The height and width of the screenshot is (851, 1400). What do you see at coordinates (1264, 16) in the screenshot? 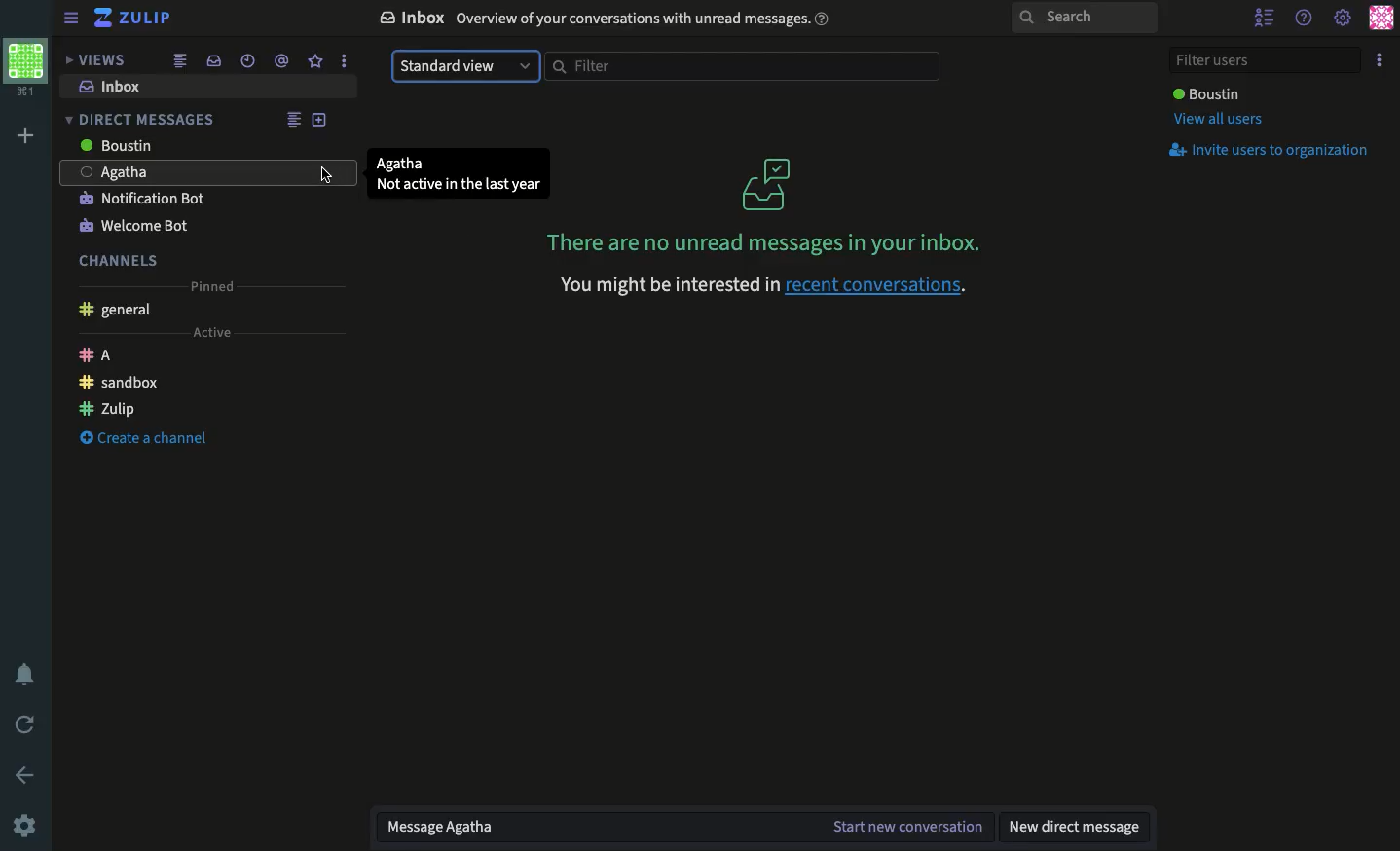
I see `Hide users list` at bounding box center [1264, 16].